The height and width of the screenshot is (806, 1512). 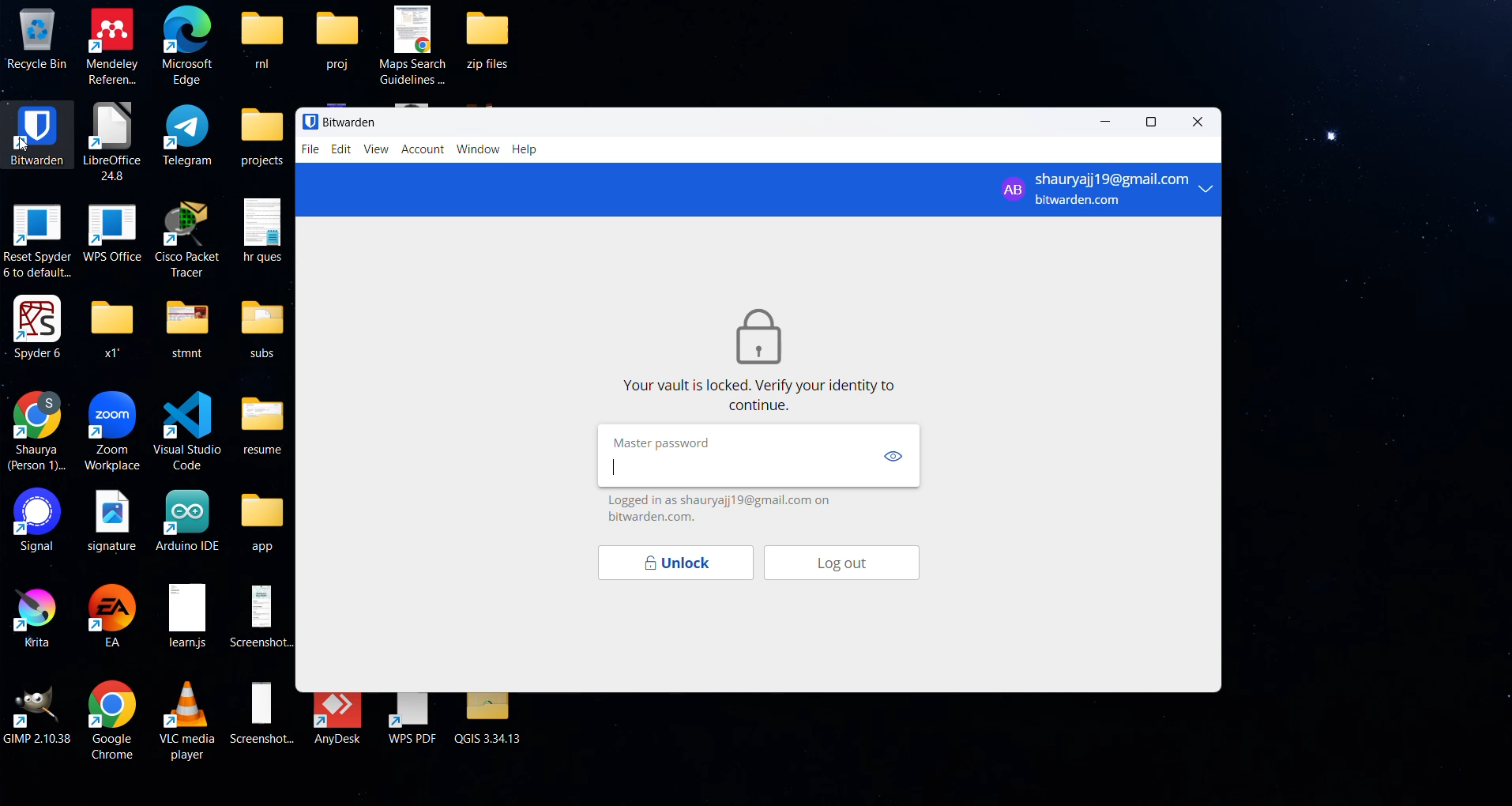 What do you see at coordinates (111, 230) in the screenshot?
I see `WPS Office` at bounding box center [111, 230].